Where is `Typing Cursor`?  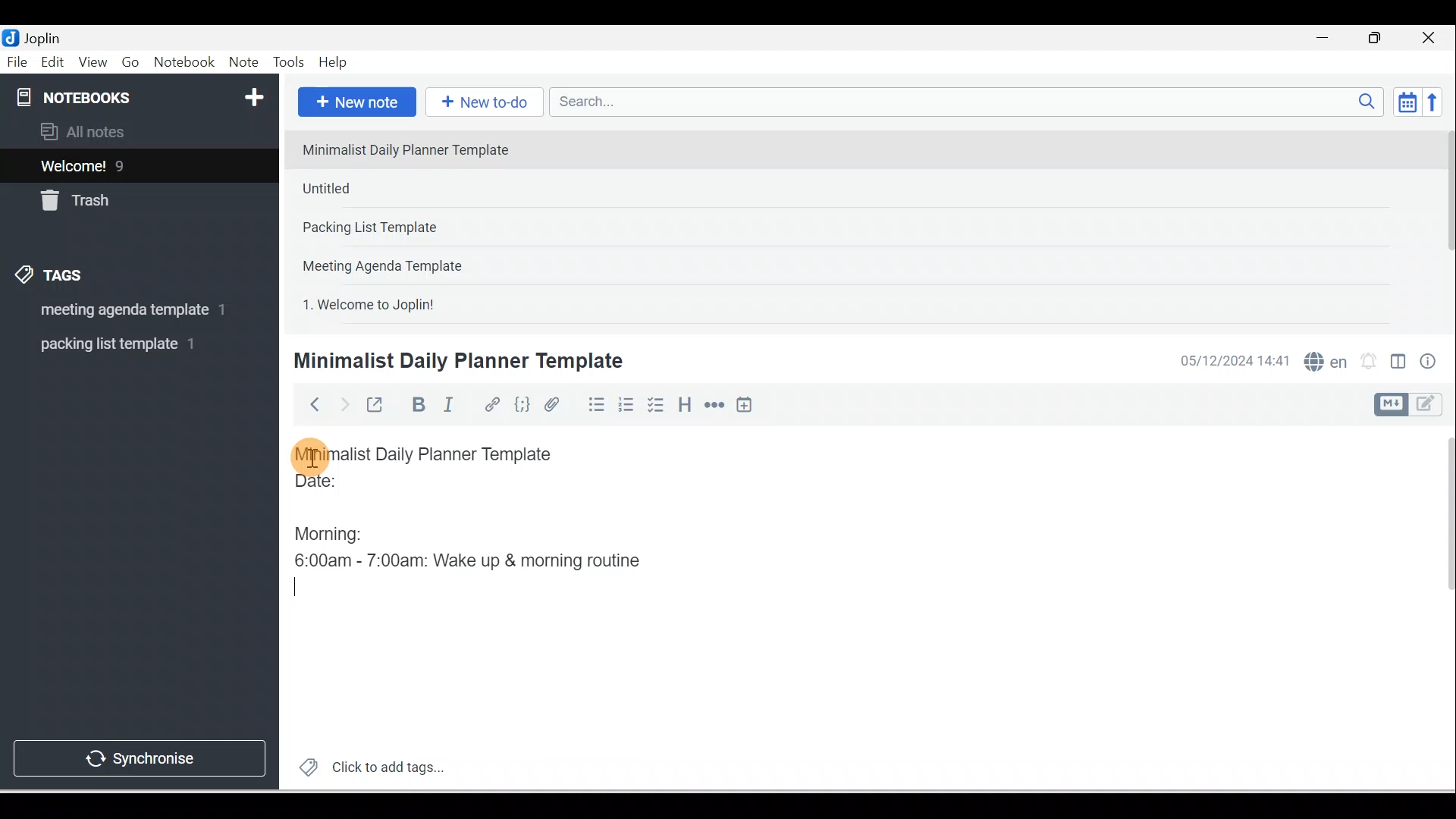 Typing Cursor is located at coordinates (297, 590).